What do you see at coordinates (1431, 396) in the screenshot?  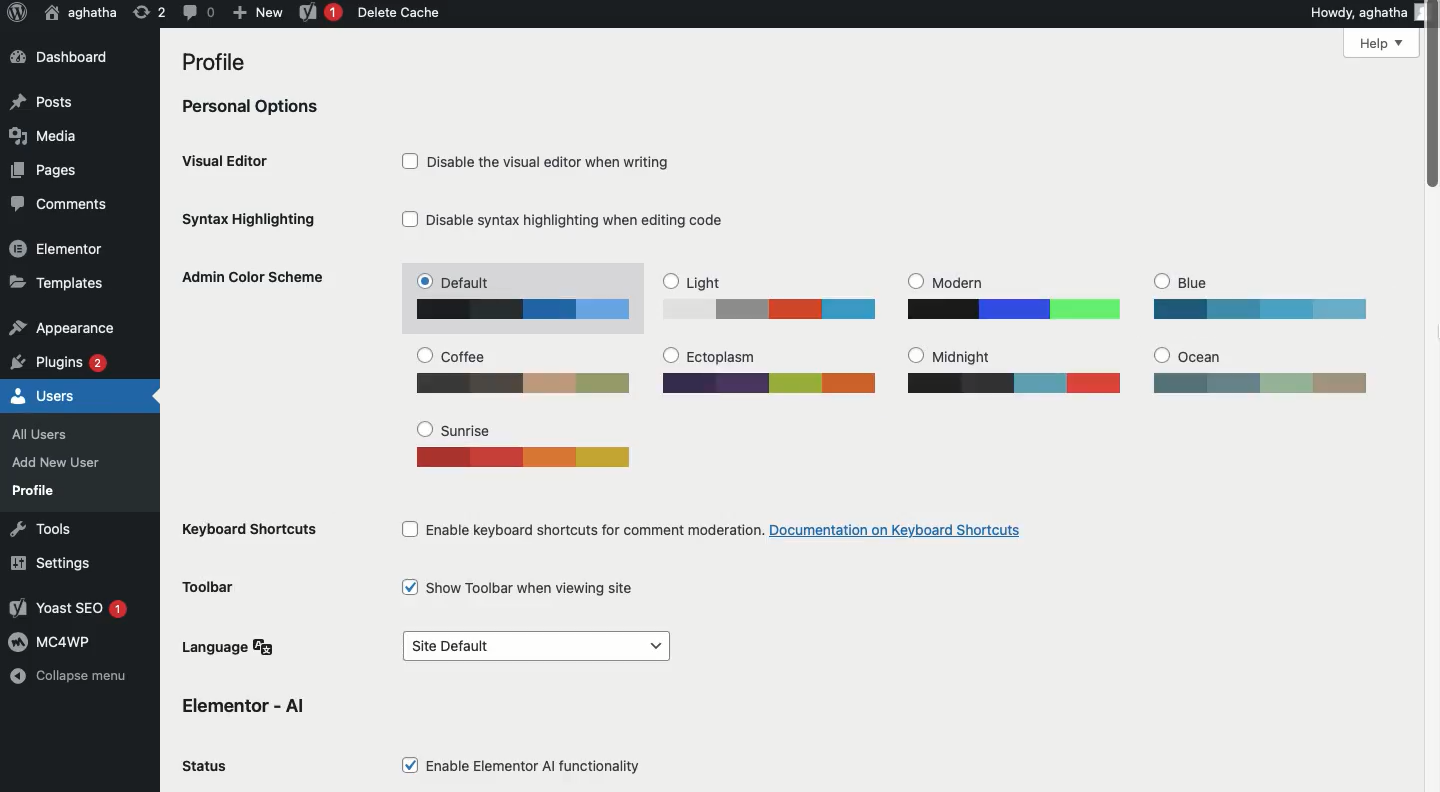 I see `Scroll` at bounding box center [1431, 396].